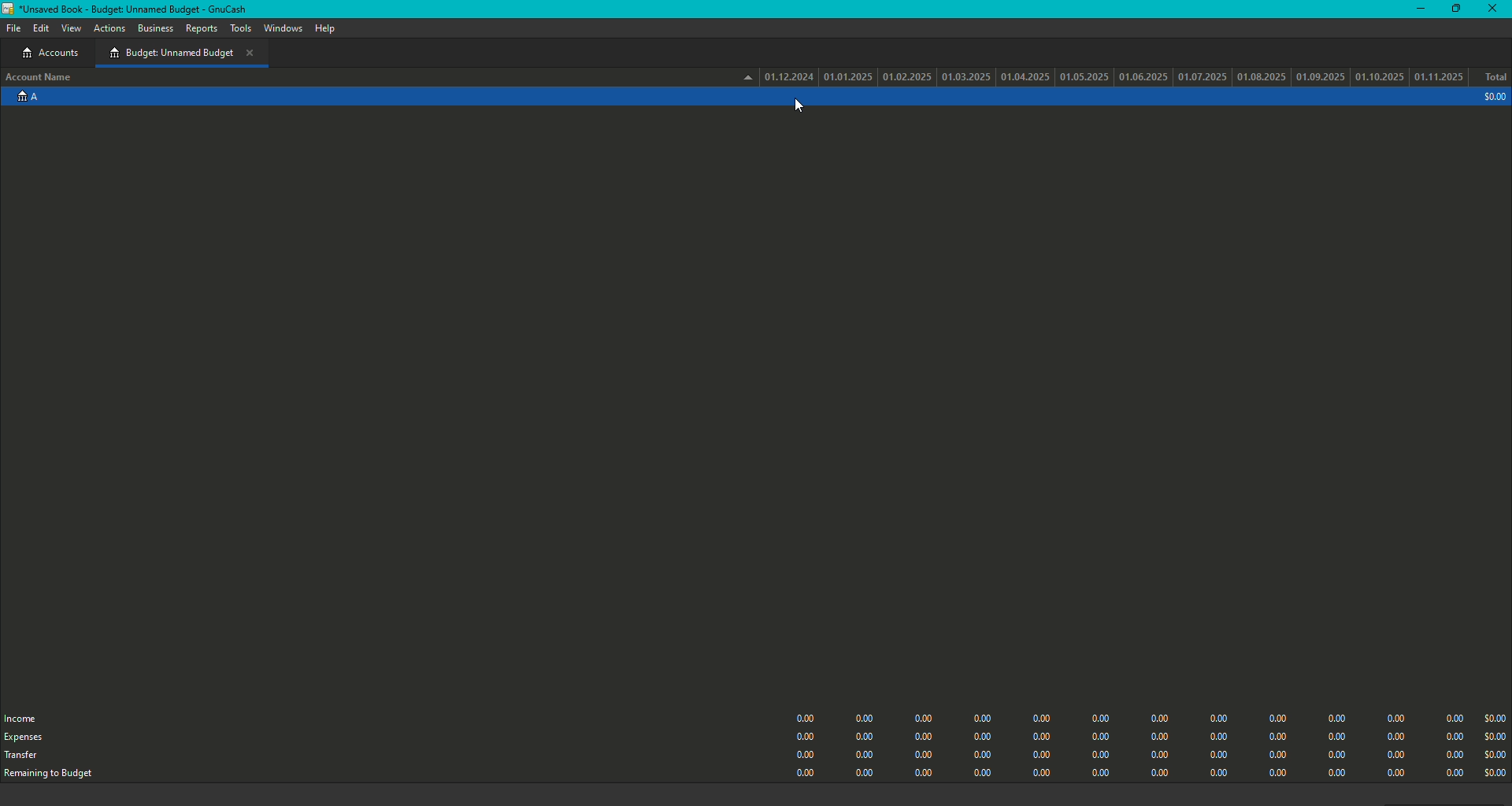 Image resolution: width=1512 pixels, height=806 pixels. I want to click on Close, so click(1495, 9).